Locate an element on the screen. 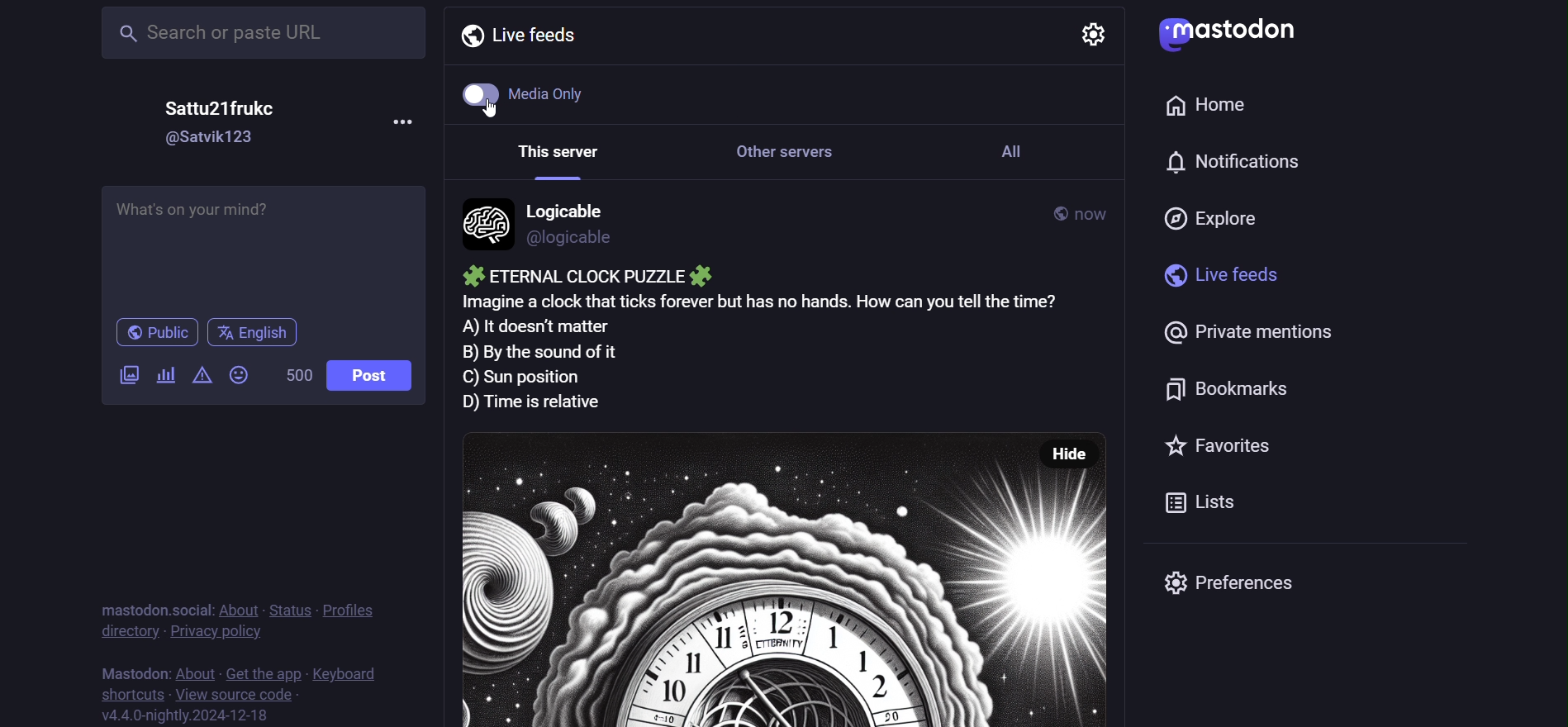 The width and height of the screenshot is (1568, 727). mastodon is located at coordinates (1233, 33).